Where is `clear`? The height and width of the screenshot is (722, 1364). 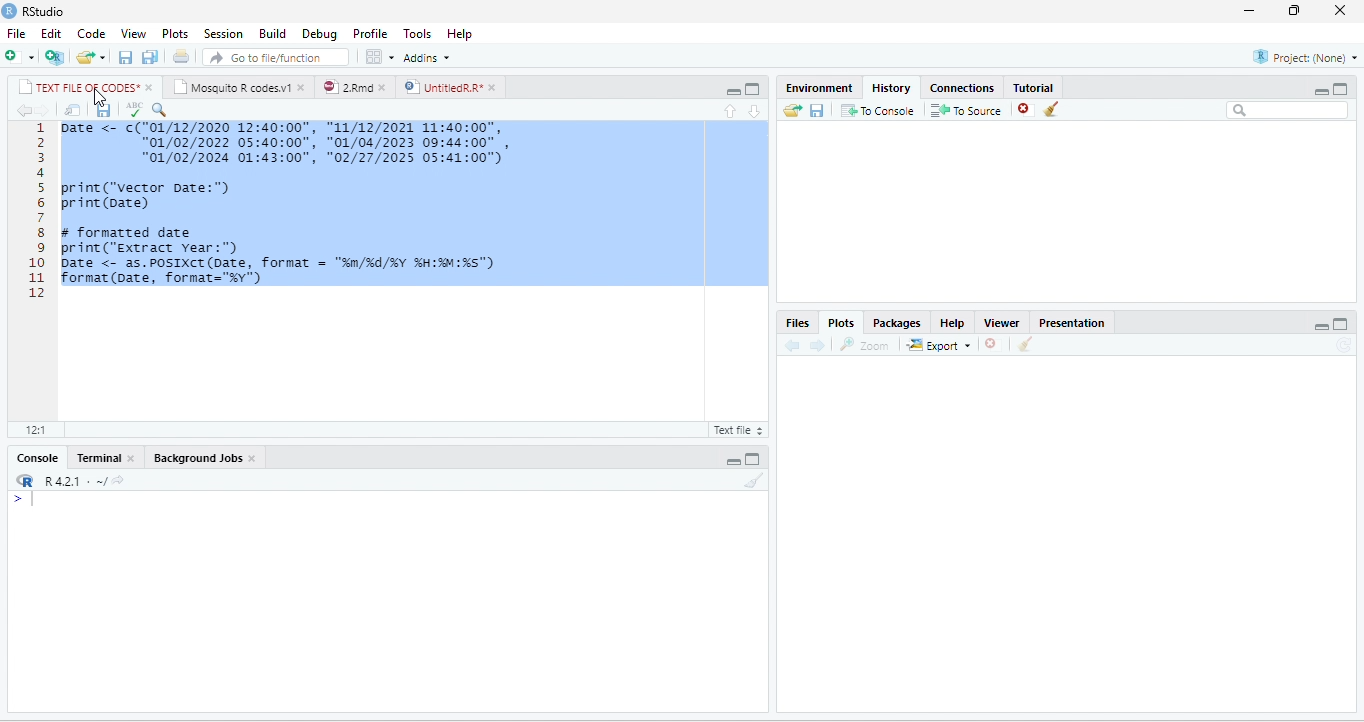 clear is located at coordinates (755, 480).